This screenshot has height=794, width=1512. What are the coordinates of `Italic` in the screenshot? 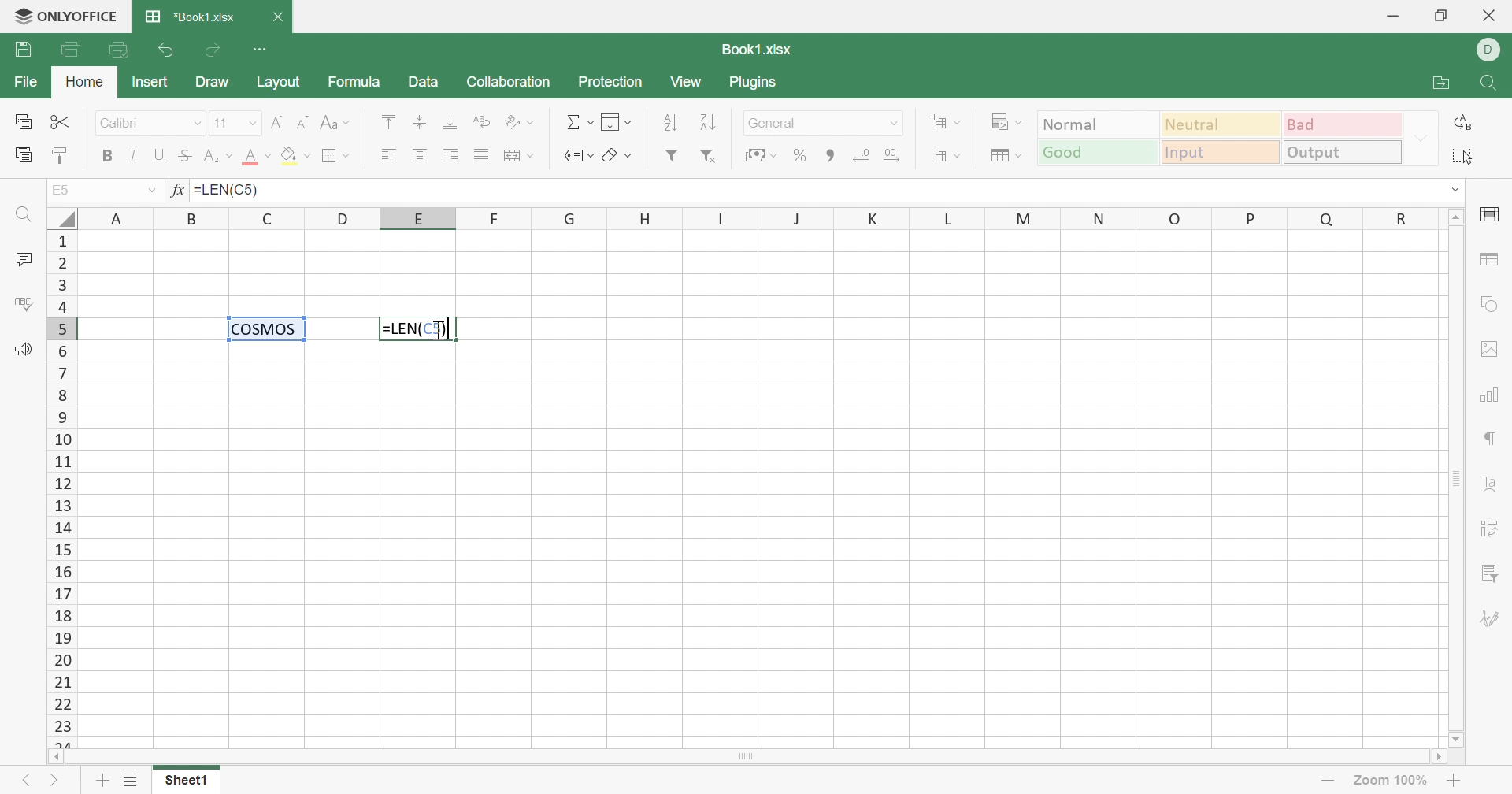 It's located at (133, 156).